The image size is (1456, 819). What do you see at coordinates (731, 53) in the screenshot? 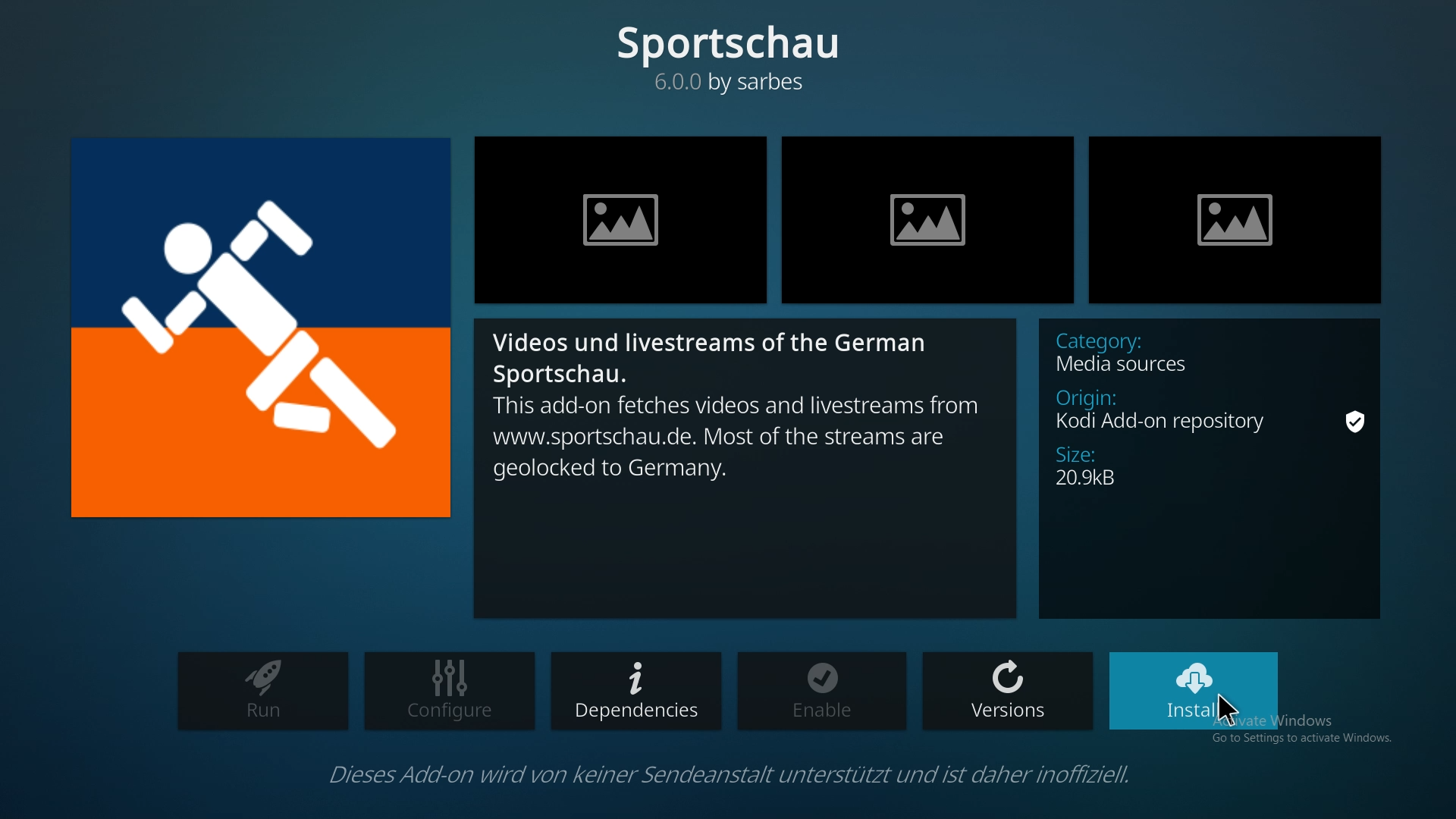
I see `sportschau` at bounding box center [731, 53].